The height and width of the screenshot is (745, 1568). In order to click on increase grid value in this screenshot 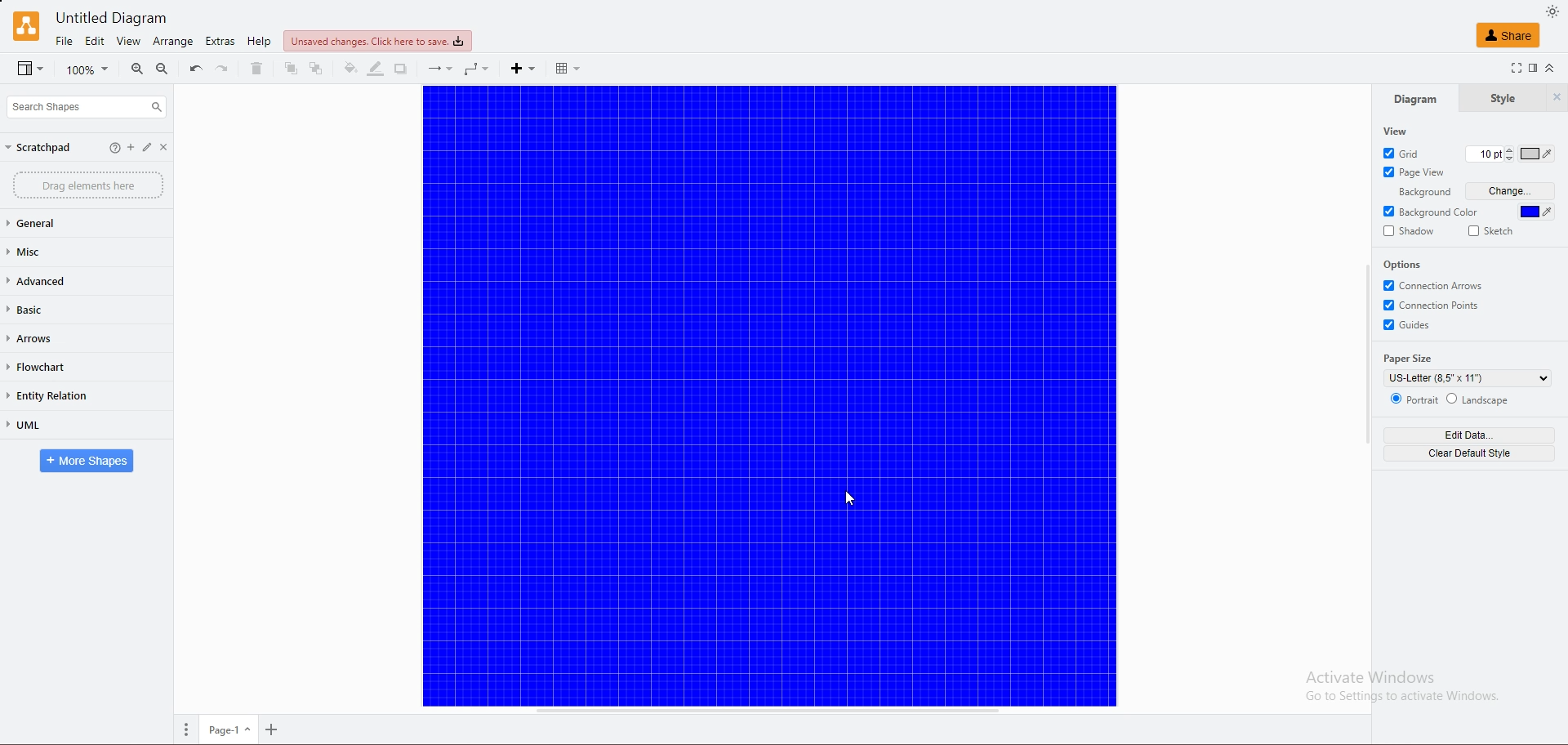, I will do `click(1508, 148)`.